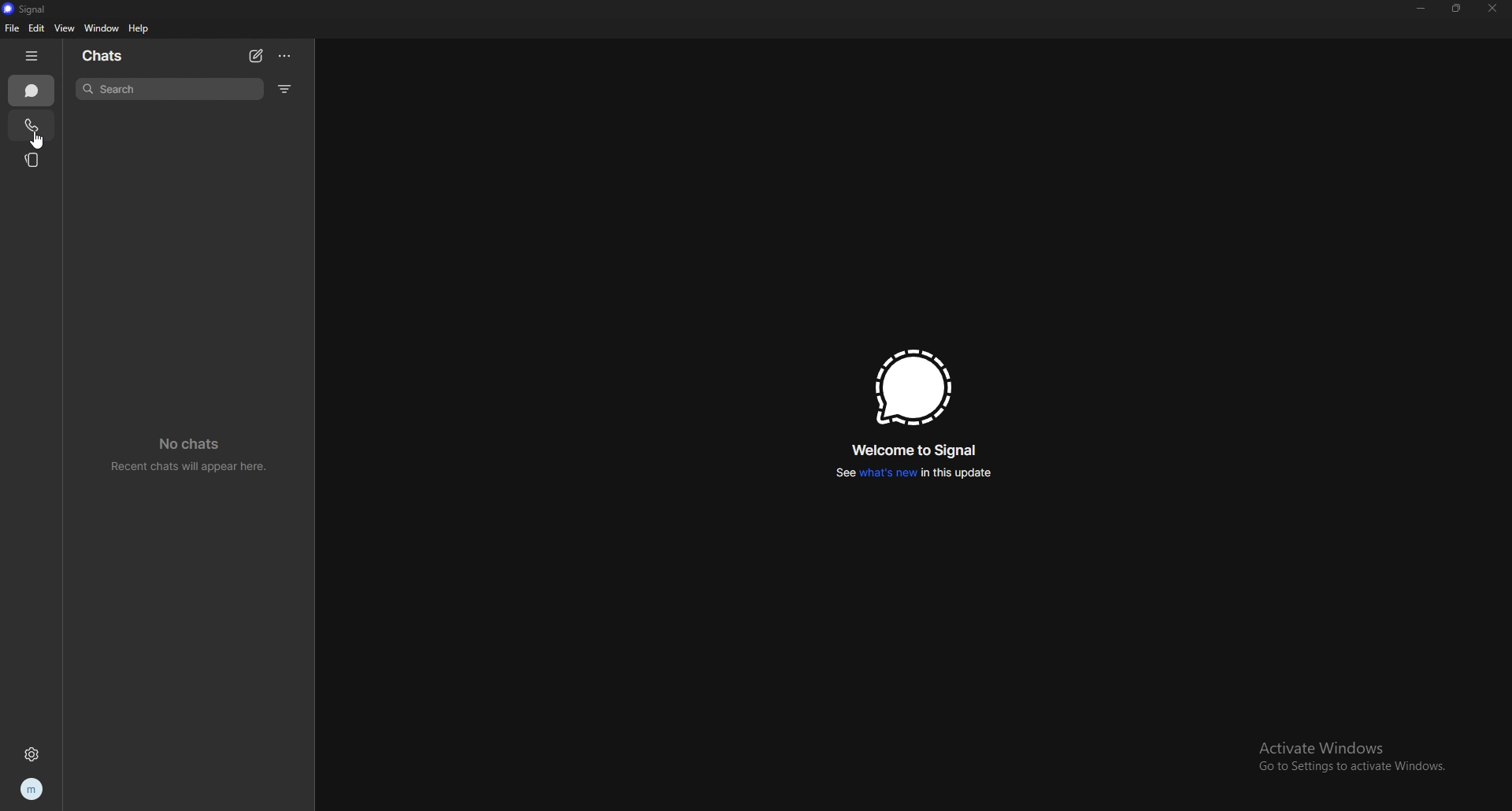 The image size is (1512, 811). I want to click on edit, so click(38, 28).